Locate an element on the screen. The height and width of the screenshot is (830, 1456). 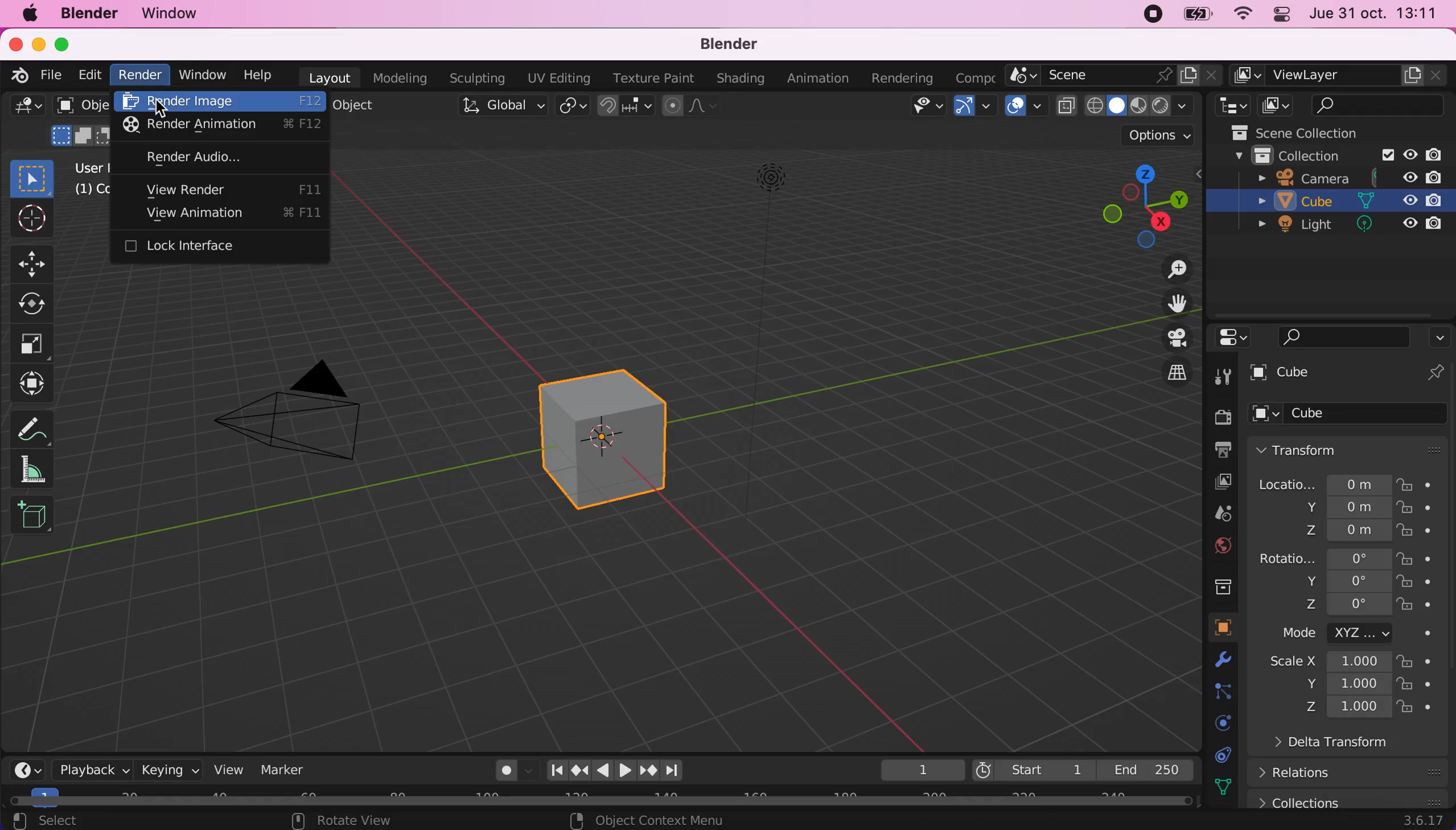
cursor is located at coordinates (161, 112).